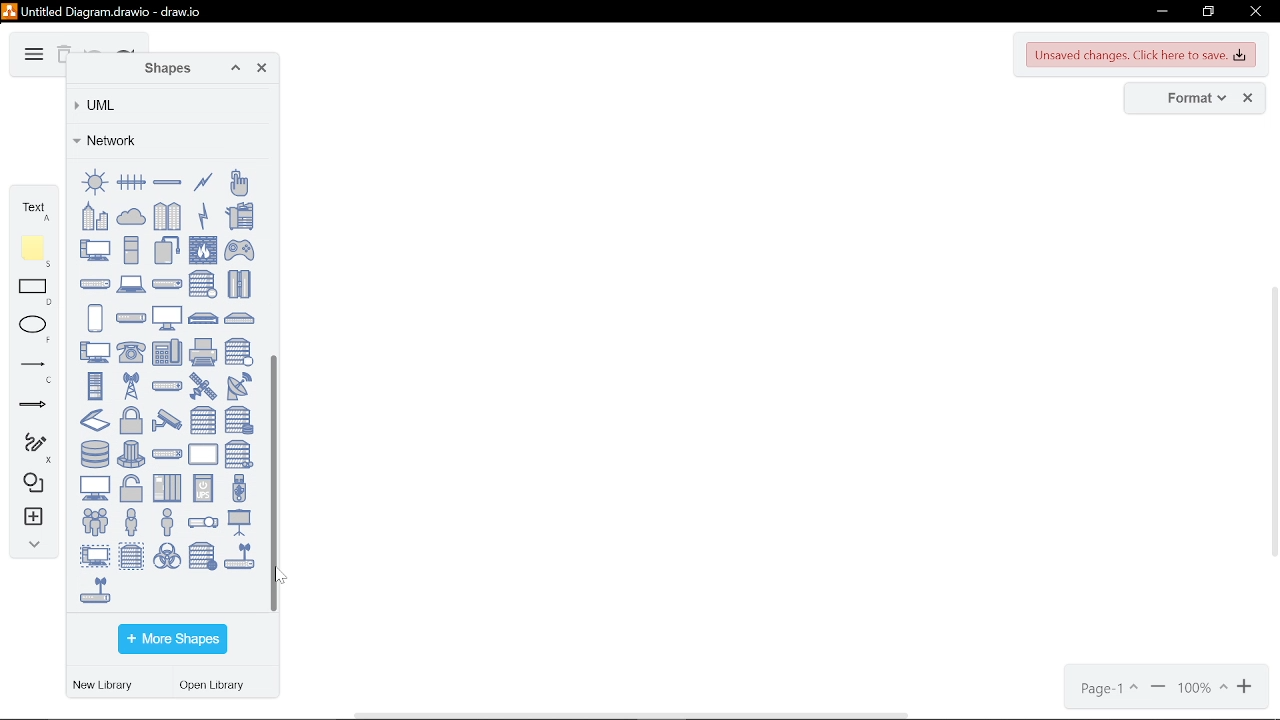 Image resolution: width=1280 pixels, height=720 pixels. I want to click on undo, so click(94, 49).